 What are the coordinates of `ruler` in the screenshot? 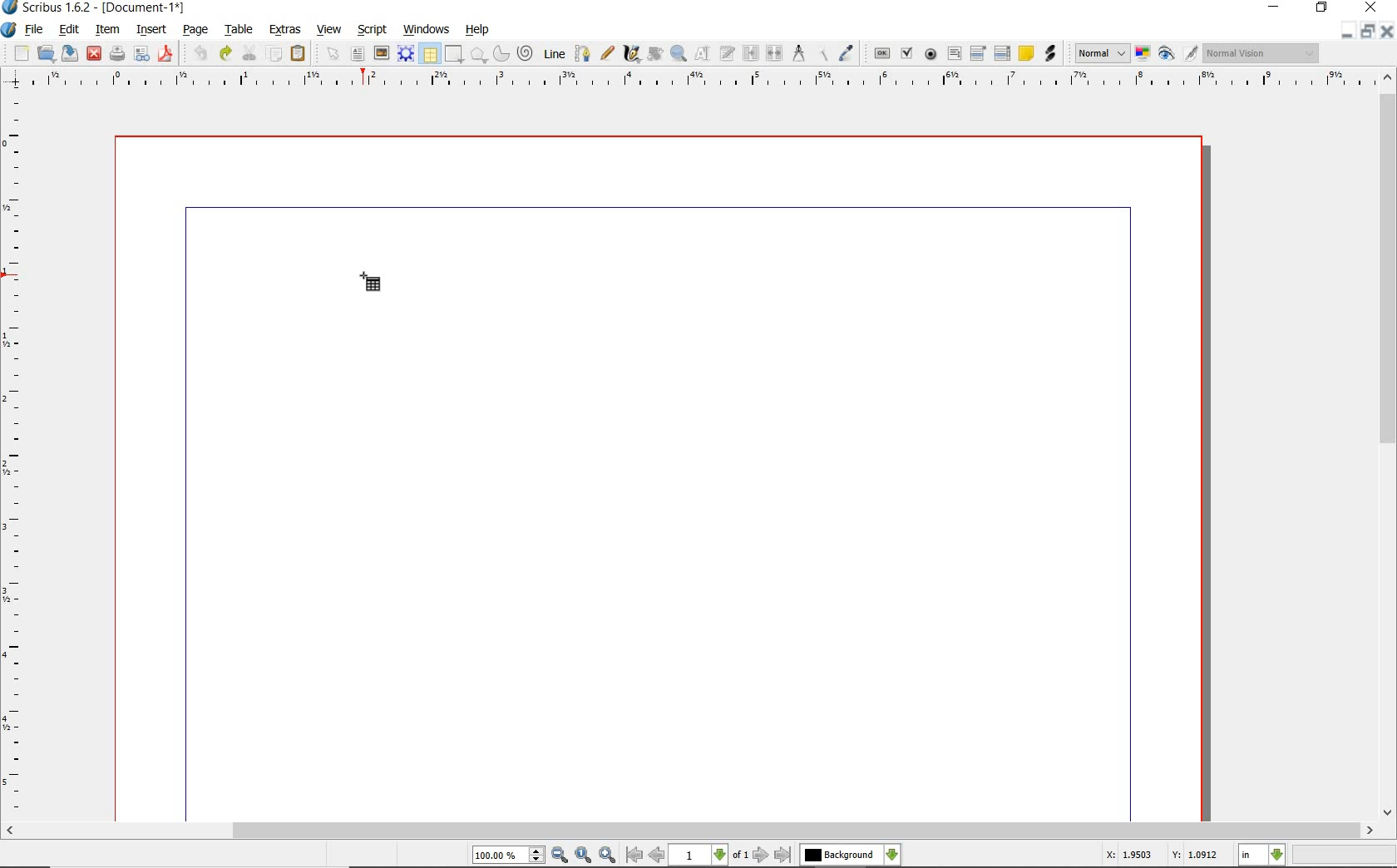 It's located at (16, 455).